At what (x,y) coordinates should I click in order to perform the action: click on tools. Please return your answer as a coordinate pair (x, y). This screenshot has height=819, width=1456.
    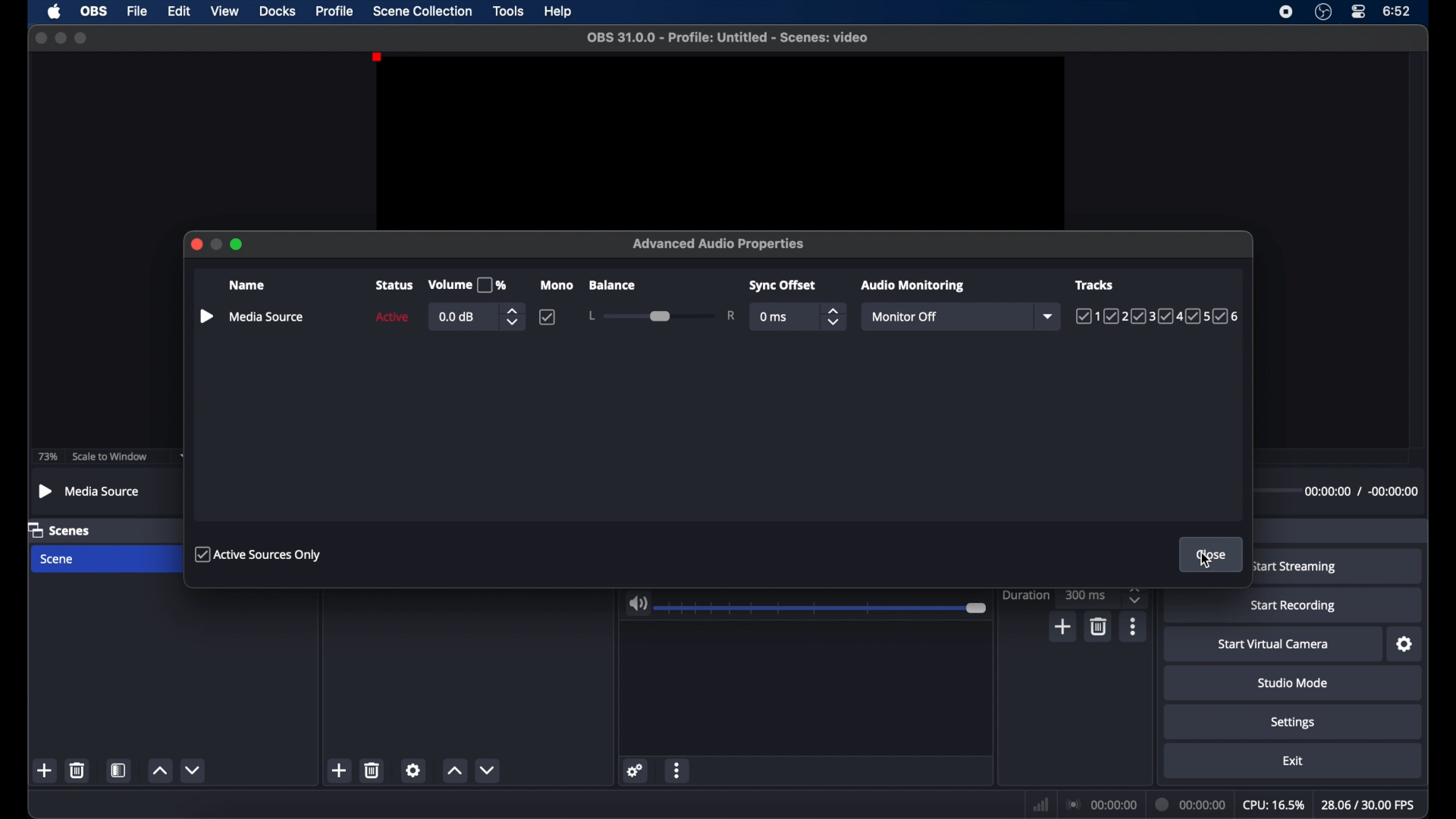
    Looking at the image, I should click on (509, 11).